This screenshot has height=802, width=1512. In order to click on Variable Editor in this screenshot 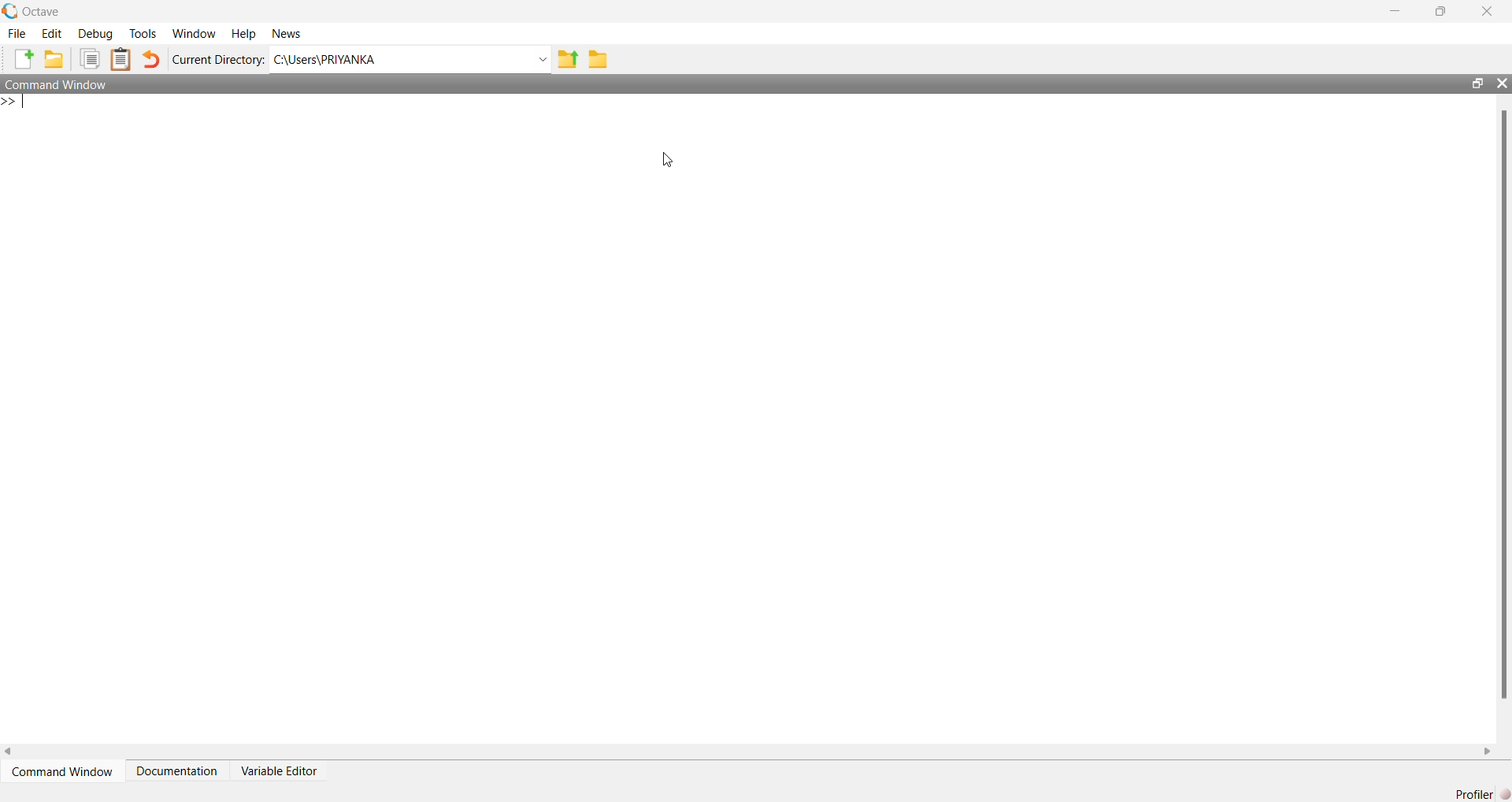, I will do `click(278, 771)`.